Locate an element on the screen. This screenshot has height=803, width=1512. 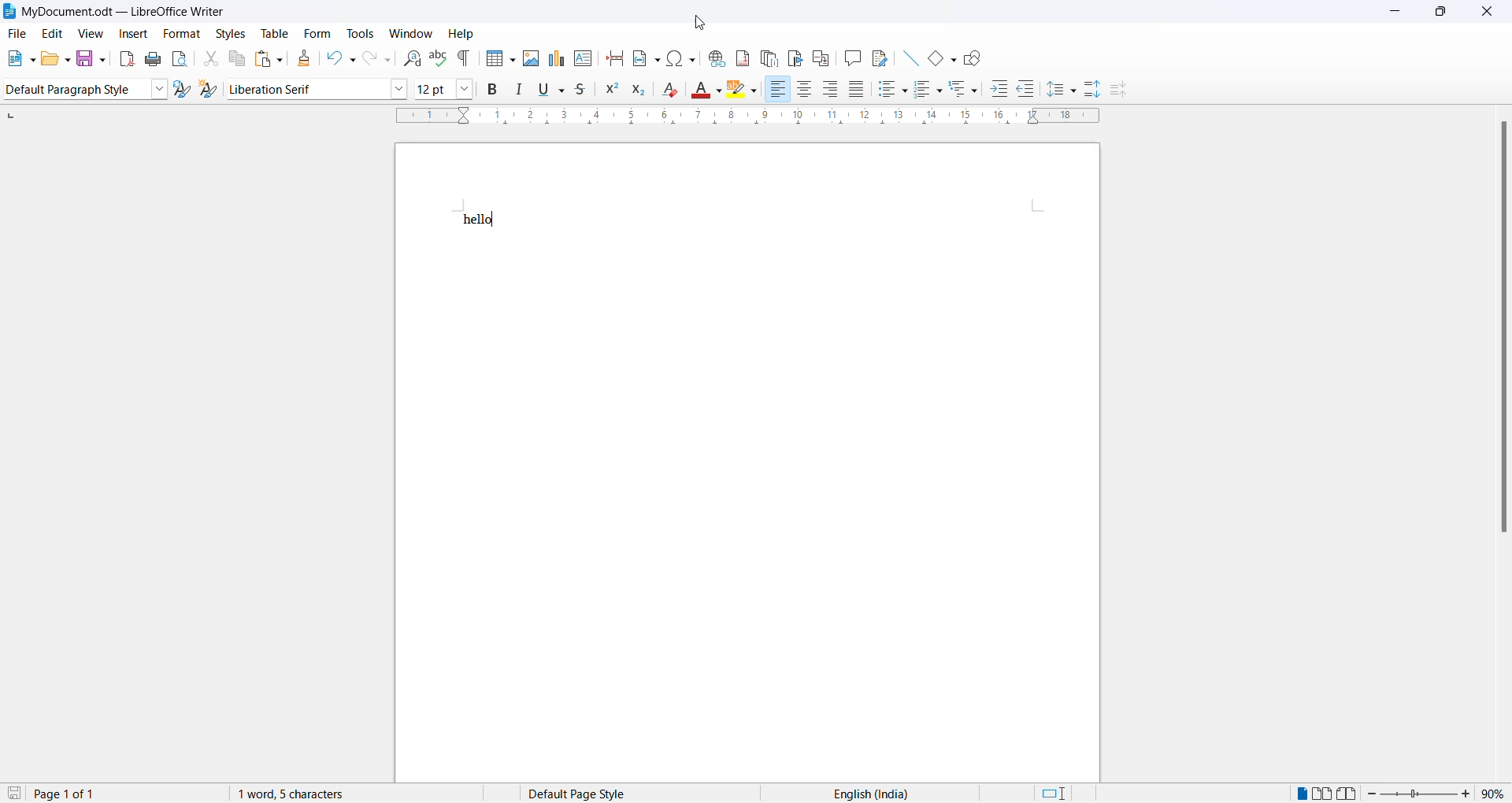
standard selection is located at coordinates (1059, 794).